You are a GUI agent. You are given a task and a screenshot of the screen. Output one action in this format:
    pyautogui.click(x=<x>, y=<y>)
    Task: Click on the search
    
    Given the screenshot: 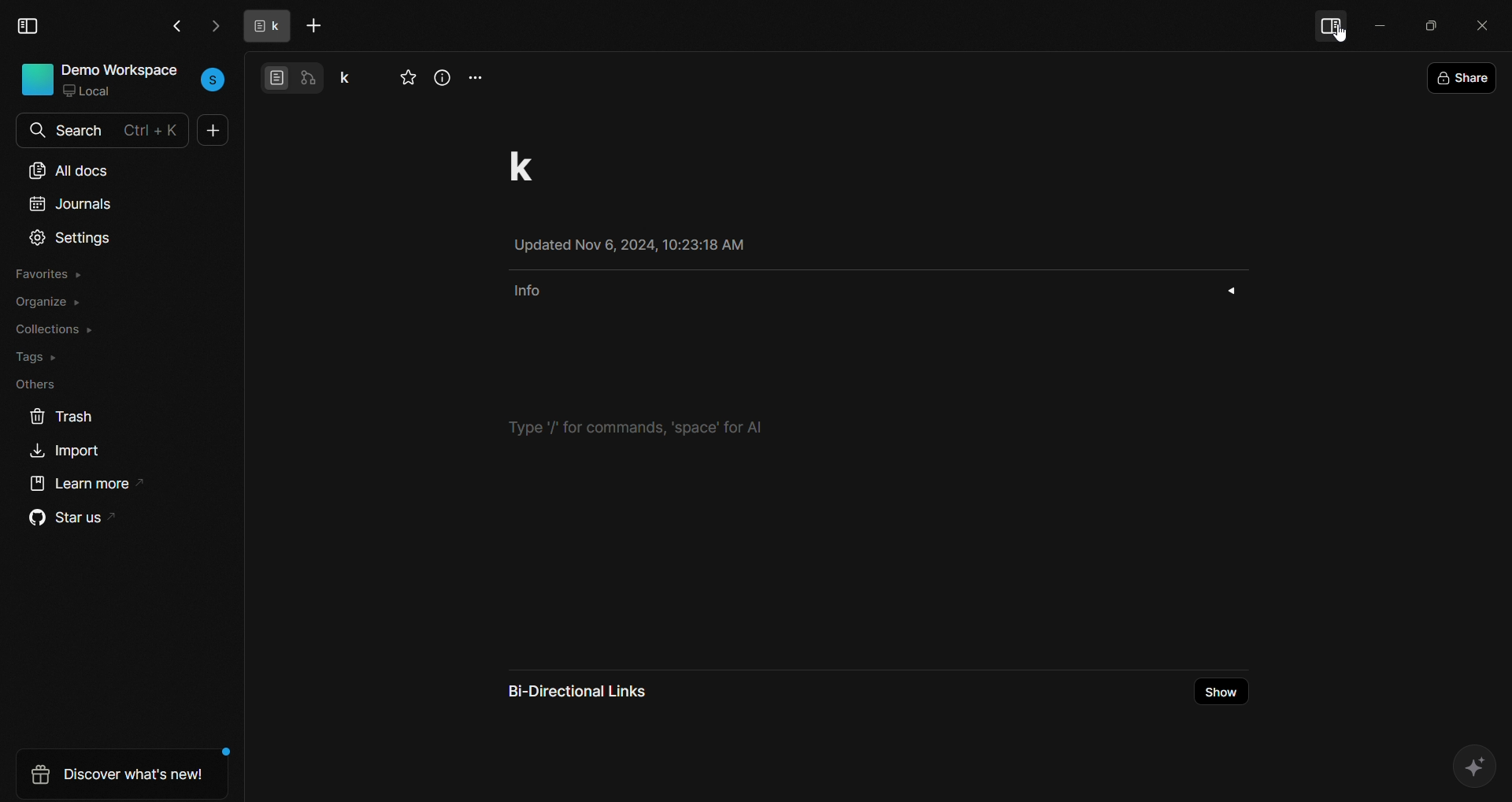 What is the action you would take?
    pyautogui.click(x=35, y=131)
    